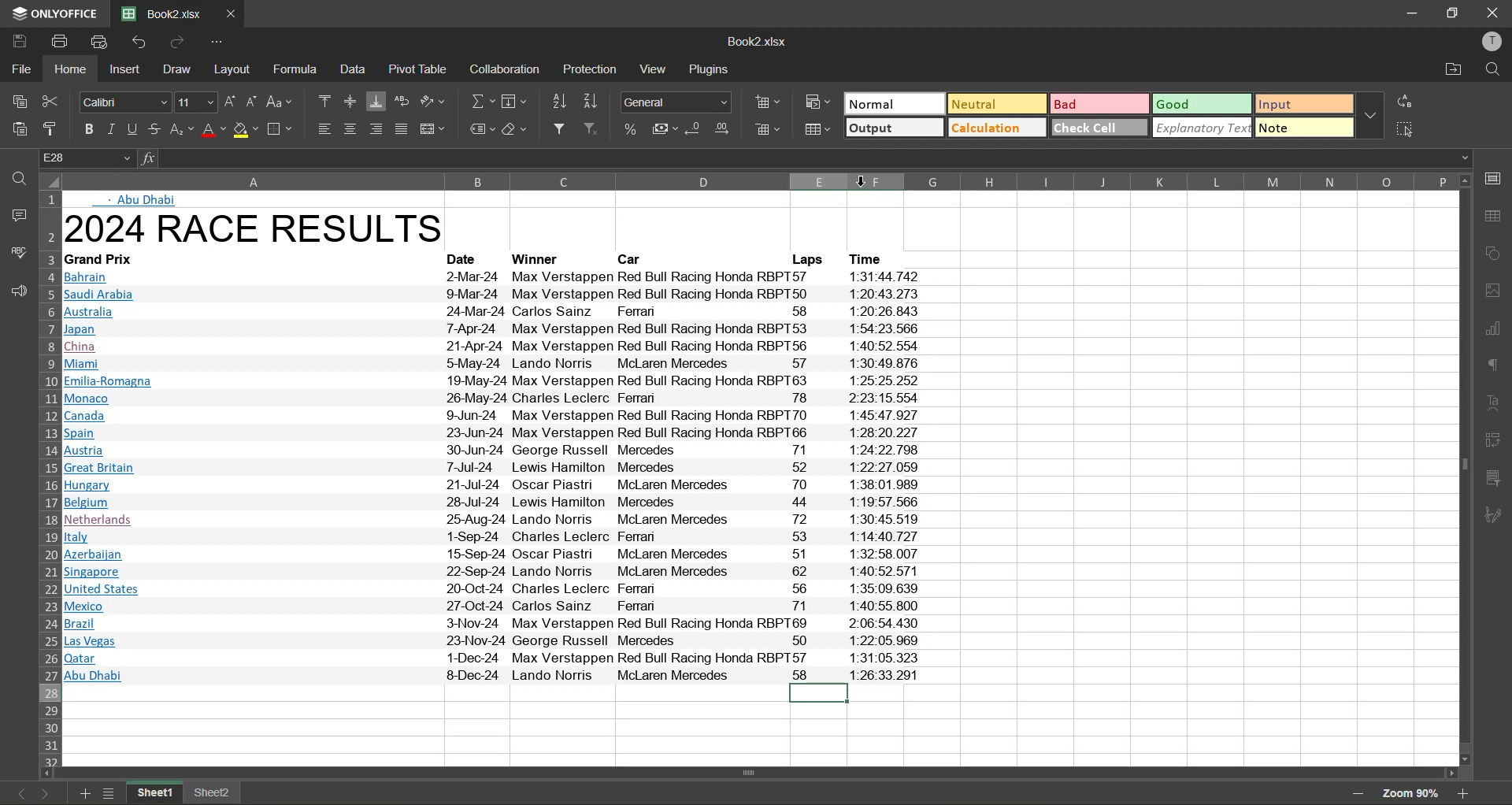 Image resolution: width=1512 pixels, height=805 pixels. Describe the element at coordinates (655, 69) in the screenshot. I see `view` at that location.